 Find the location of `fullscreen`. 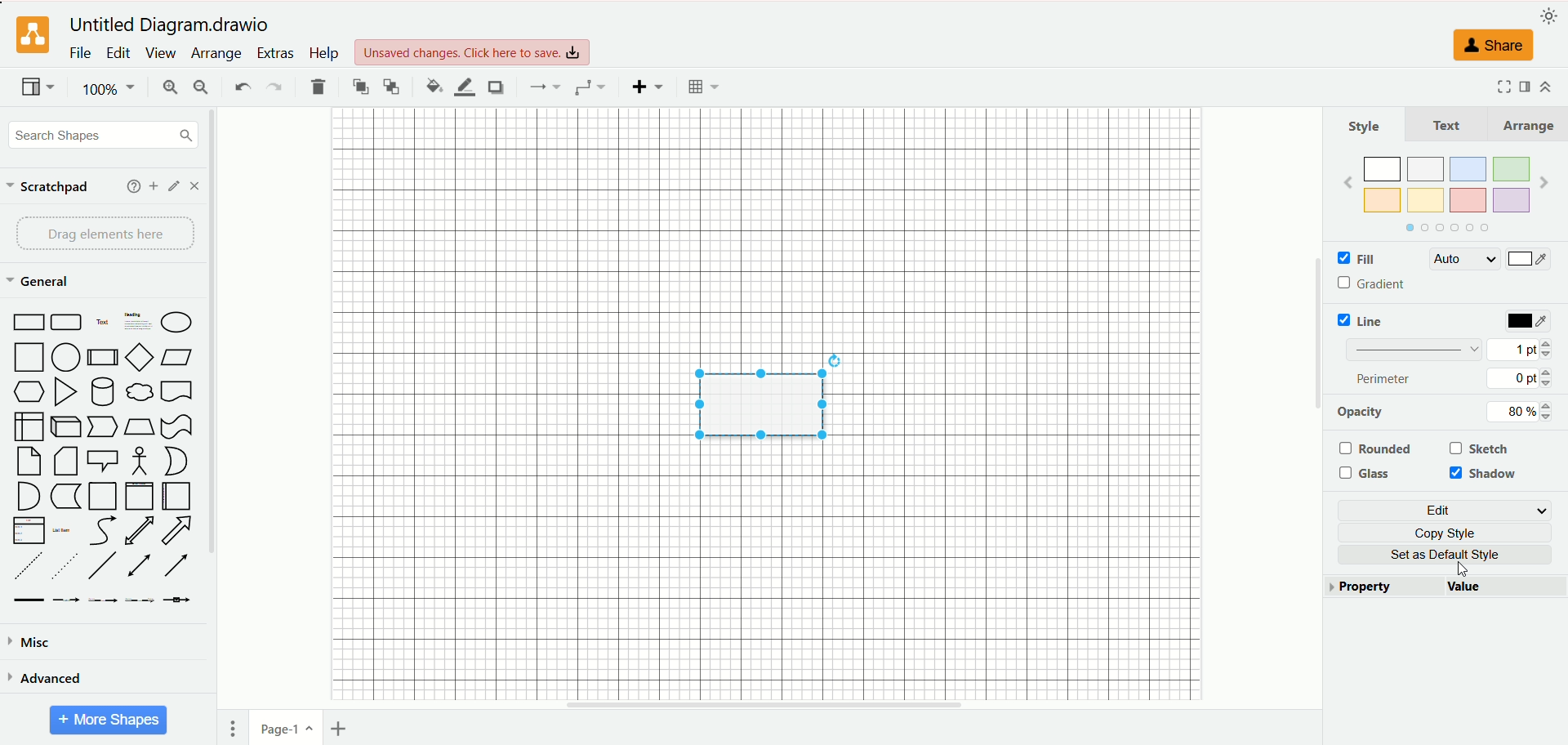

fullscreen is located at coordinates (1501, 86).